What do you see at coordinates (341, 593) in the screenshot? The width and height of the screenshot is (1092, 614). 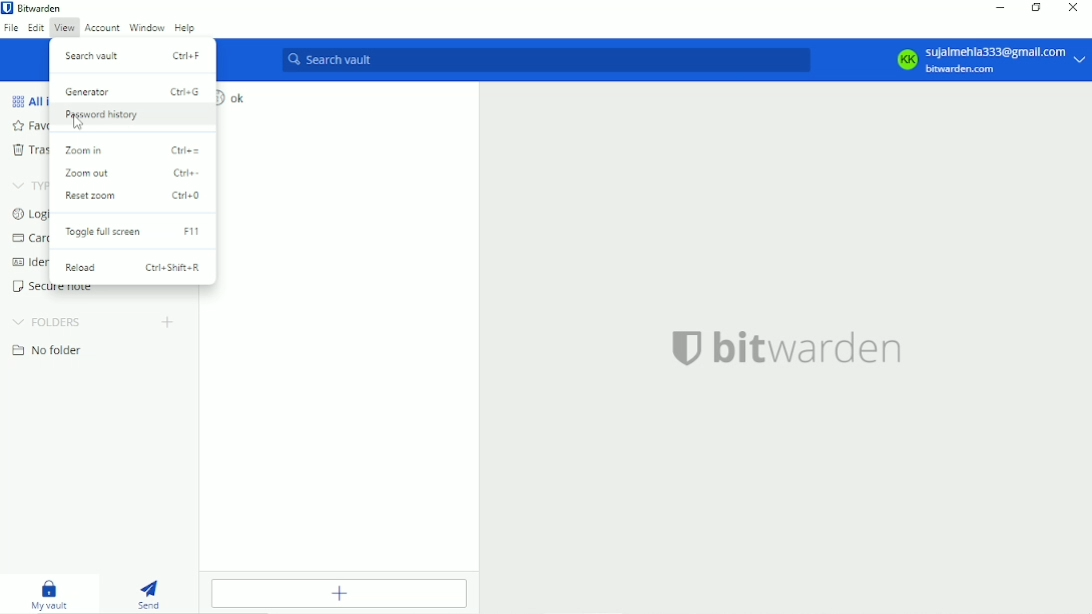 I see `Add item` at bounding box center [341, 593].